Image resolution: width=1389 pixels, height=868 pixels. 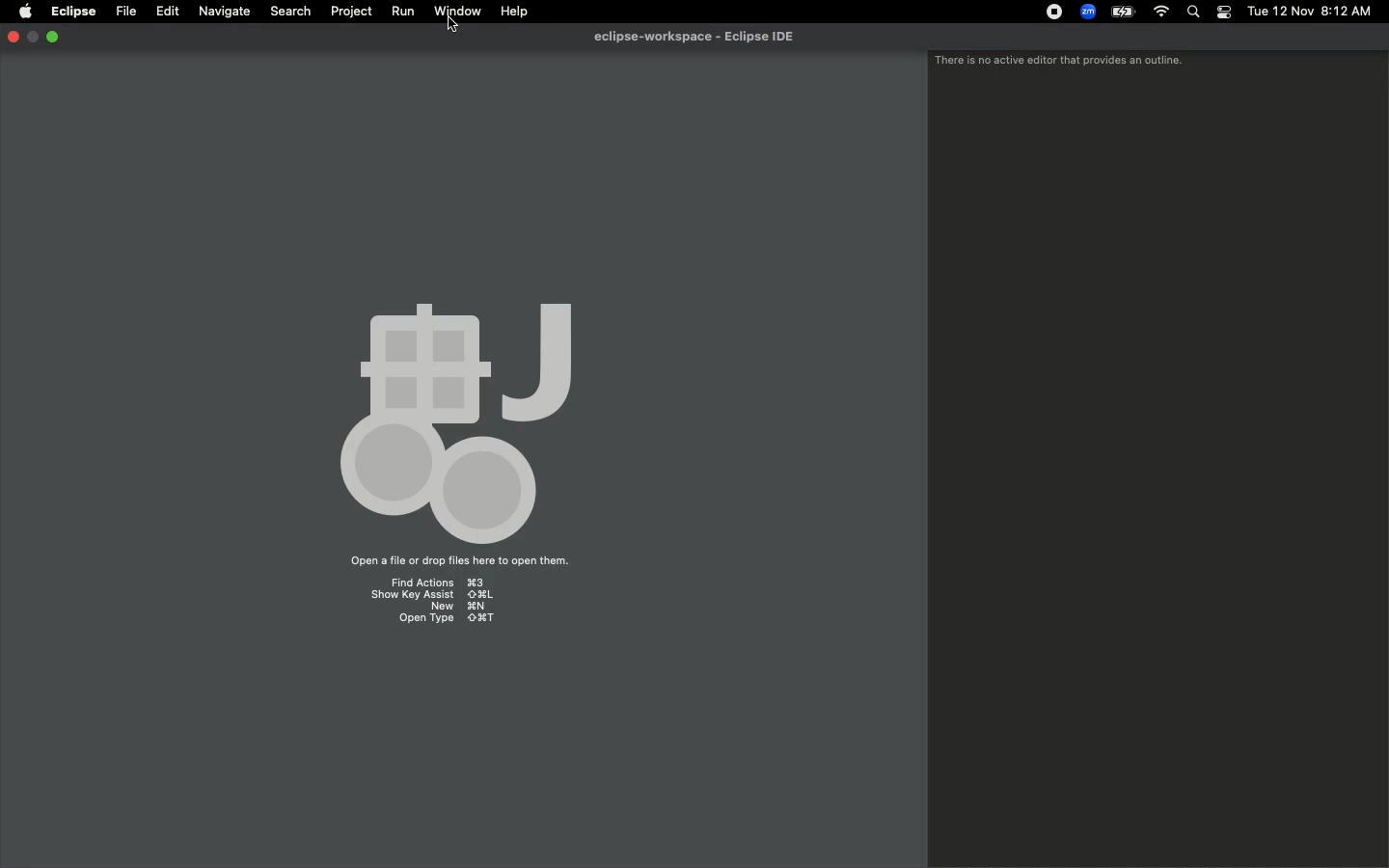 I want to click on Internet, so click(x=1159, y=13).